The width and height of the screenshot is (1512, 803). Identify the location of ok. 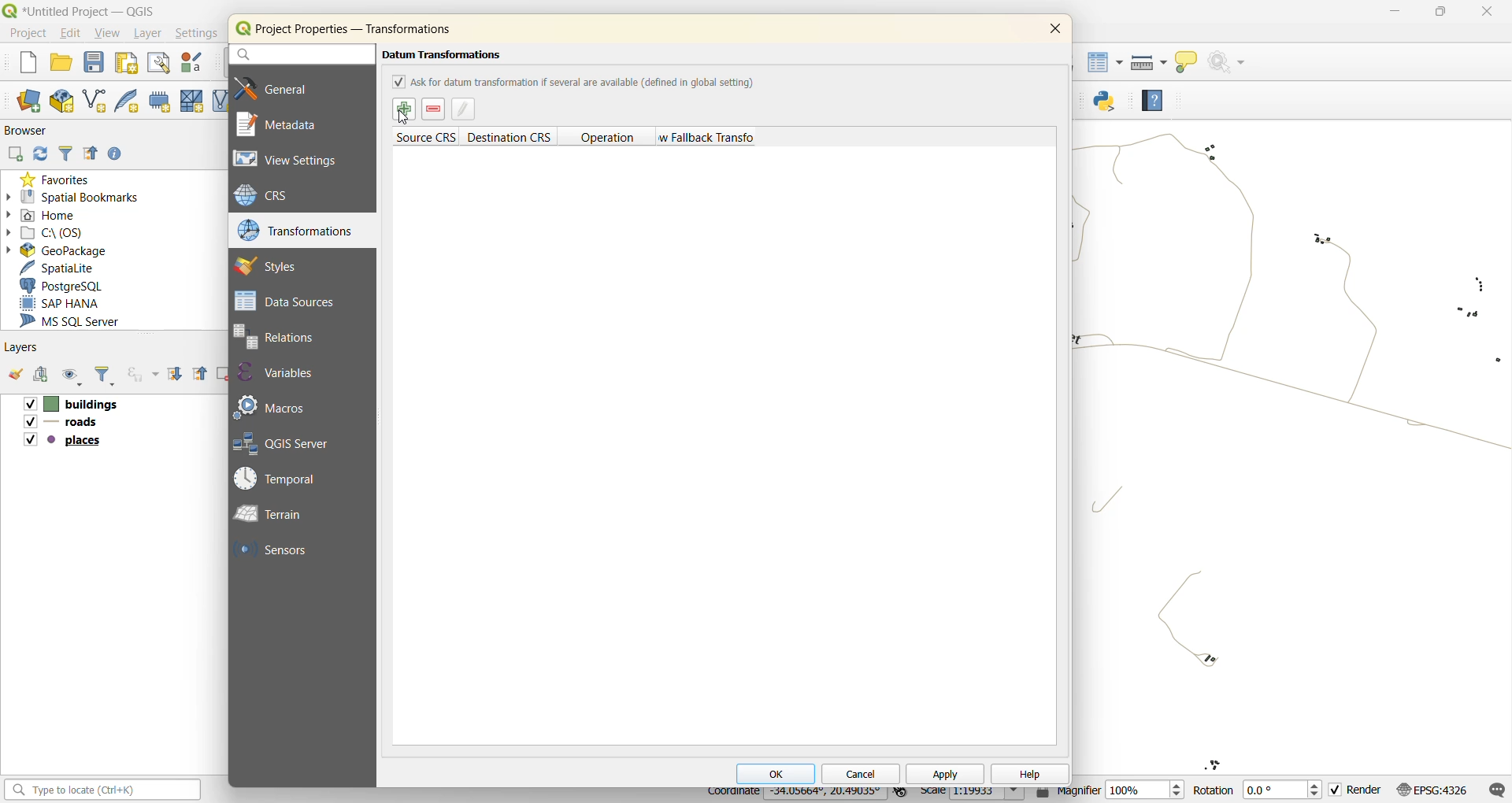
(776, 772).